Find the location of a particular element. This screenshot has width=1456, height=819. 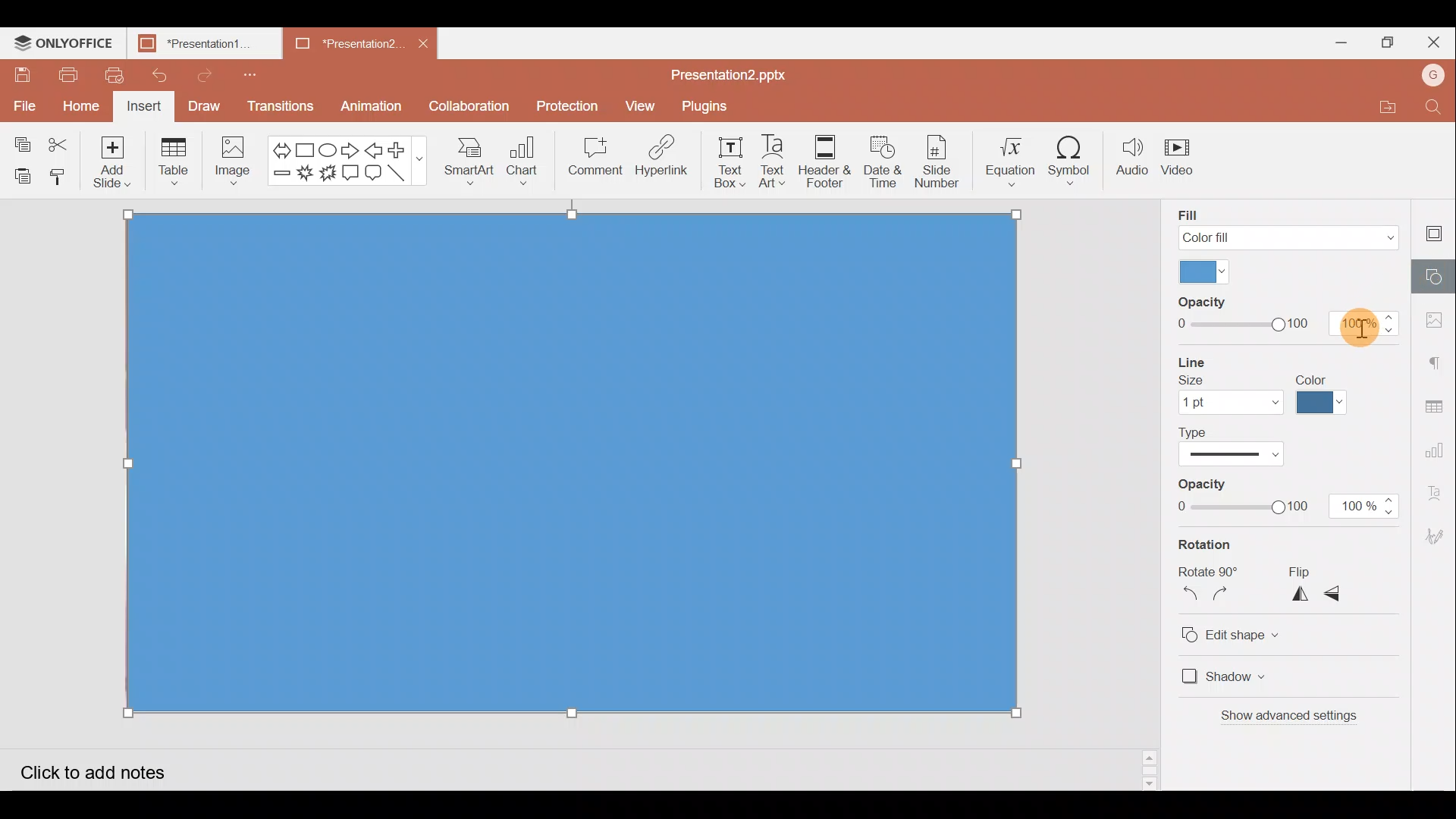

Signature settings is located at coordinates (1438, 534).